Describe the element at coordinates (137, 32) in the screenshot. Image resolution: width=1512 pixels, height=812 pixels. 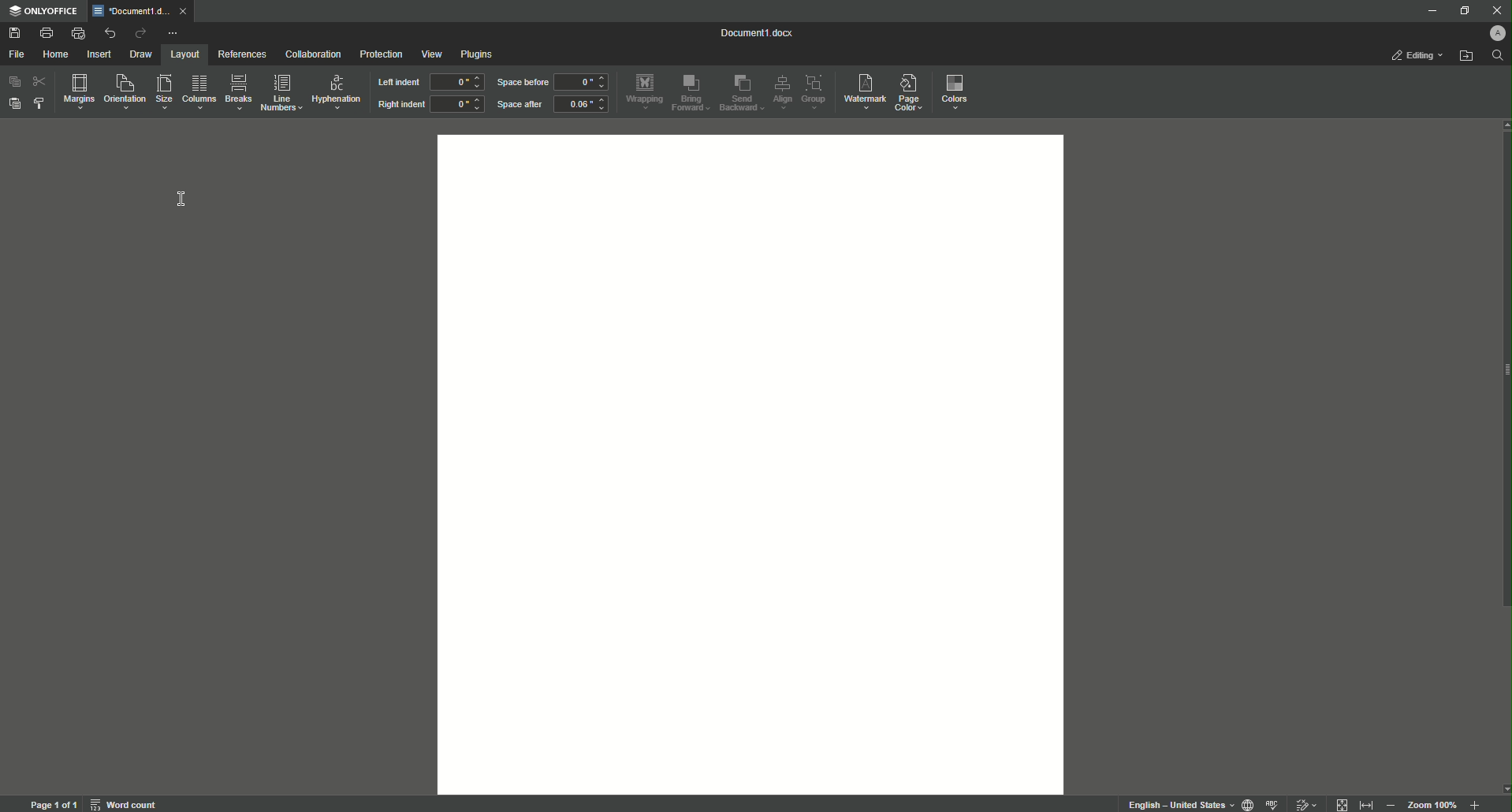
I see `Redo` at that location.